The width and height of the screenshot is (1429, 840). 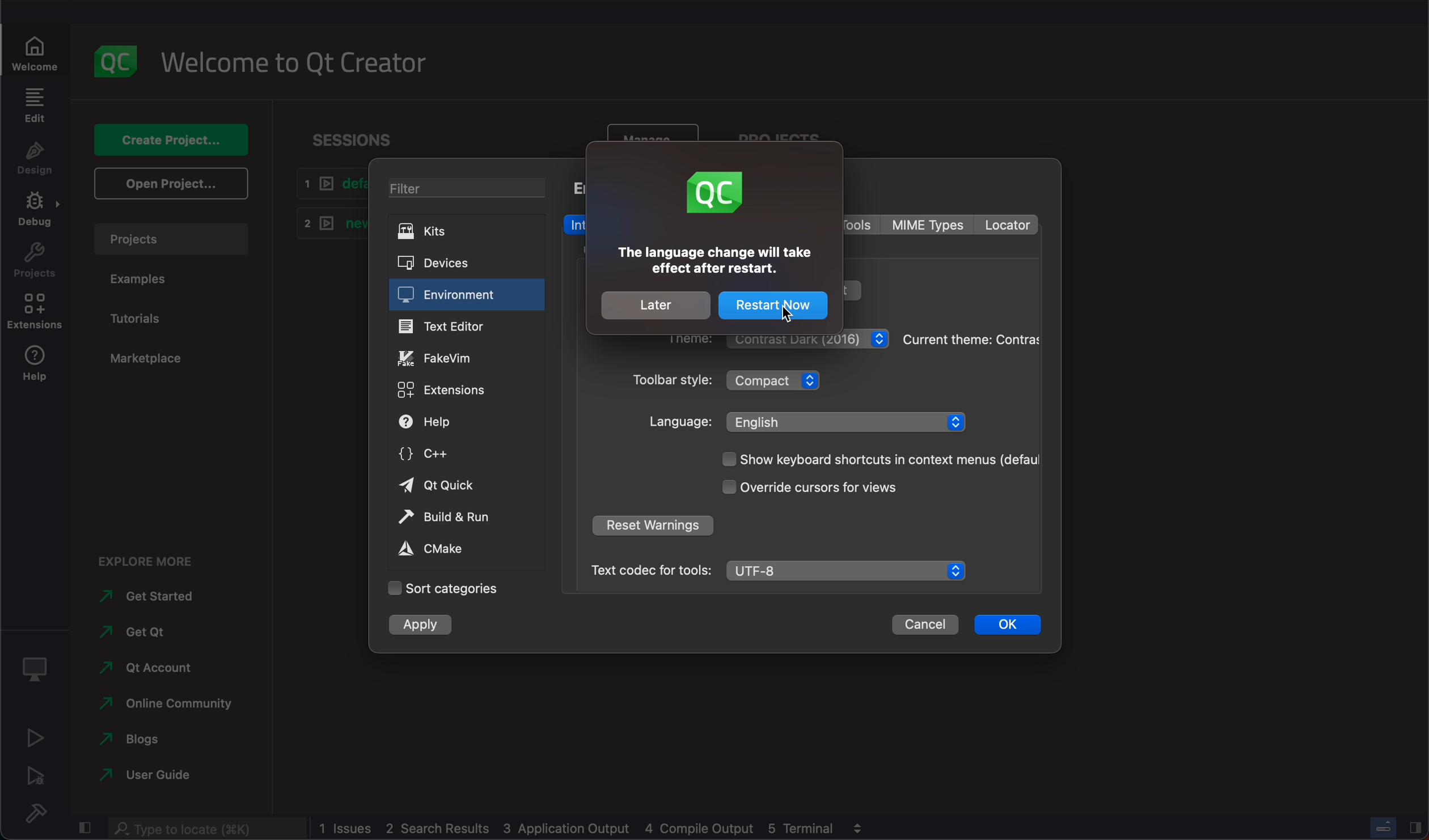 I want to click on c++, so click(x=467, y=455).